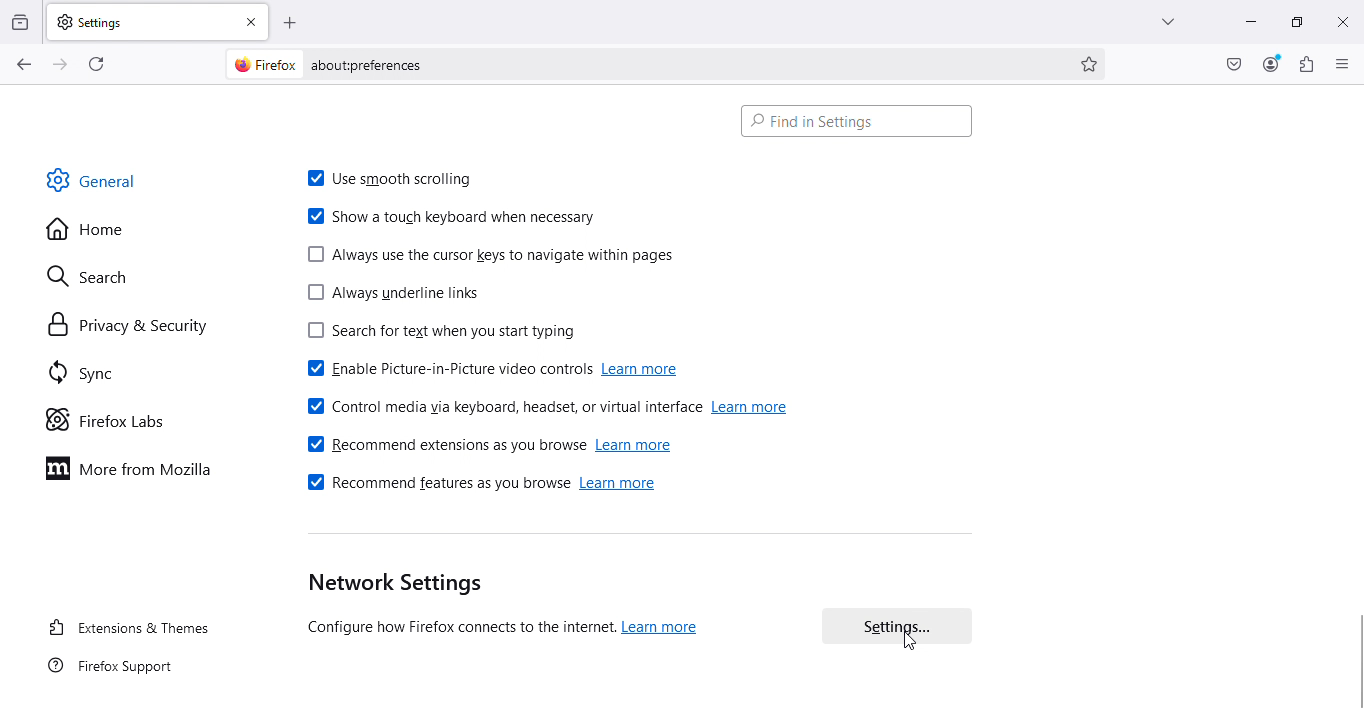 This screenshot has height=720, width=1364. Describe the element at coordinates (98, 179) in the screenshot. I see `General` at that location.